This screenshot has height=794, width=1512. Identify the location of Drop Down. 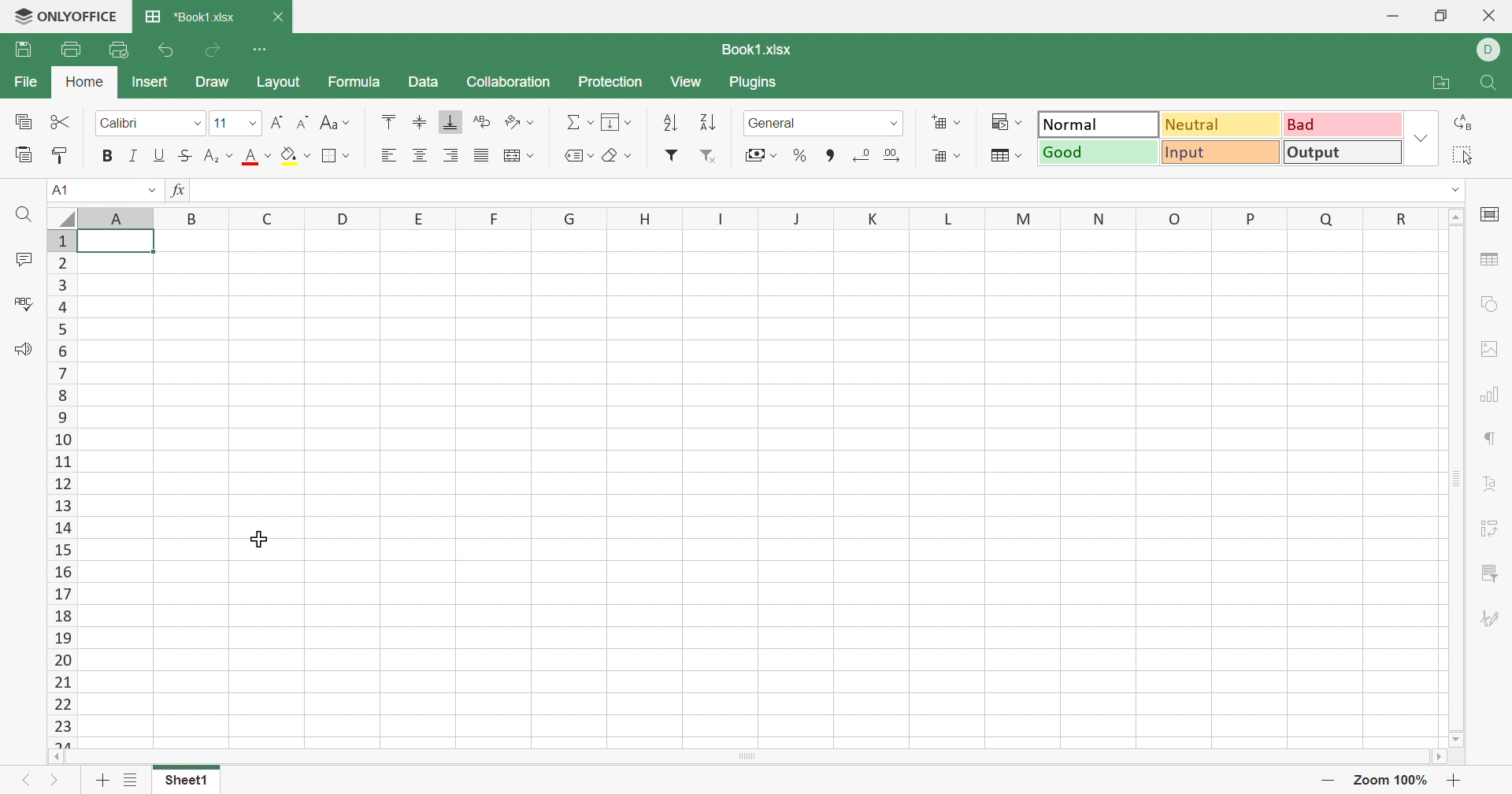
(268, 155).